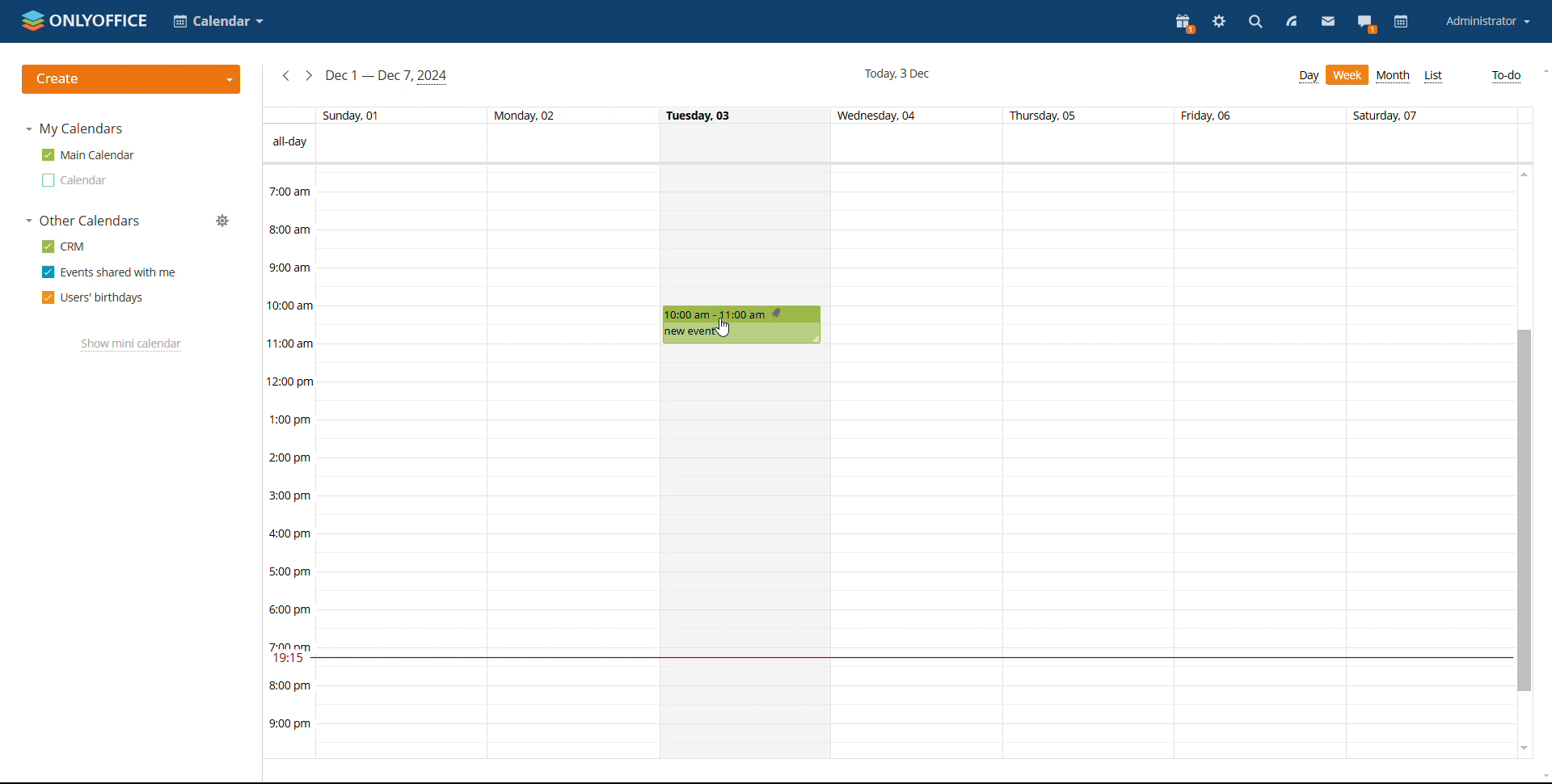 The image size is (1552, 784). Describe the element at coordinates (89, 154) in the screenshot. I see `Main Calendar` at that location.